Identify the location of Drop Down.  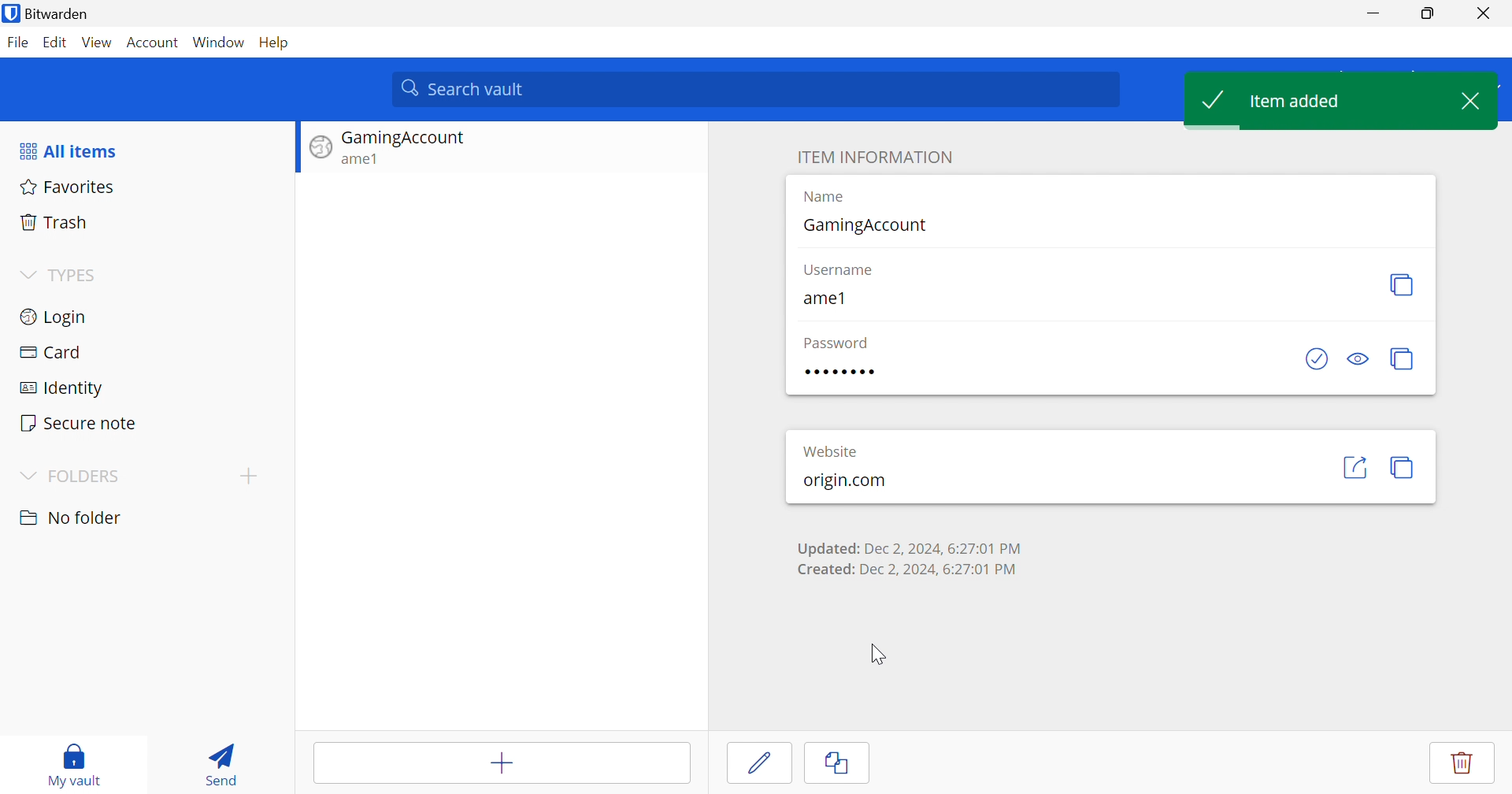
(27, 275).